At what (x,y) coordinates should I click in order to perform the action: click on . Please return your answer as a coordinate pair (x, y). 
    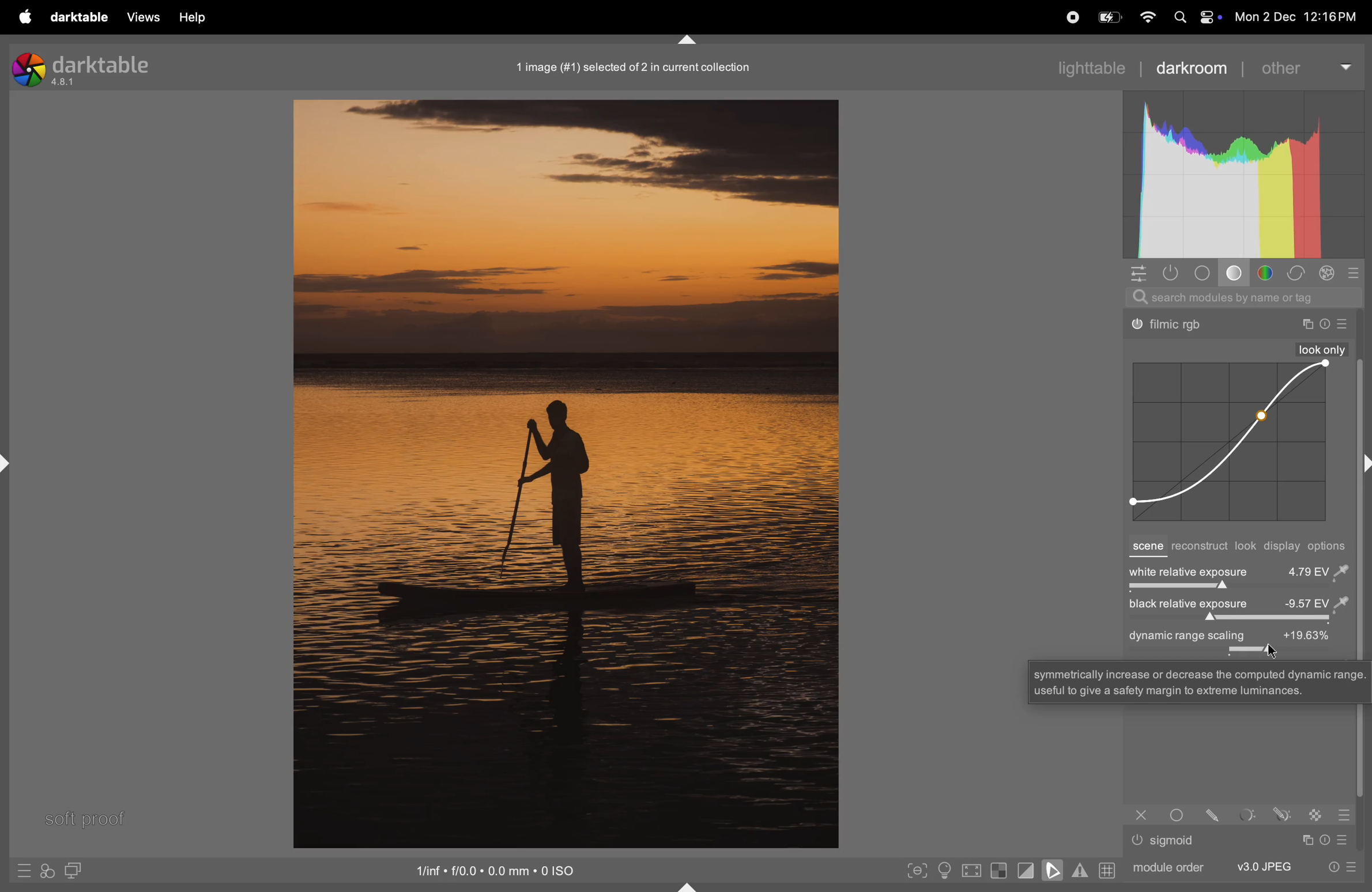
    Looking at the image, I should click on (1317, 814).